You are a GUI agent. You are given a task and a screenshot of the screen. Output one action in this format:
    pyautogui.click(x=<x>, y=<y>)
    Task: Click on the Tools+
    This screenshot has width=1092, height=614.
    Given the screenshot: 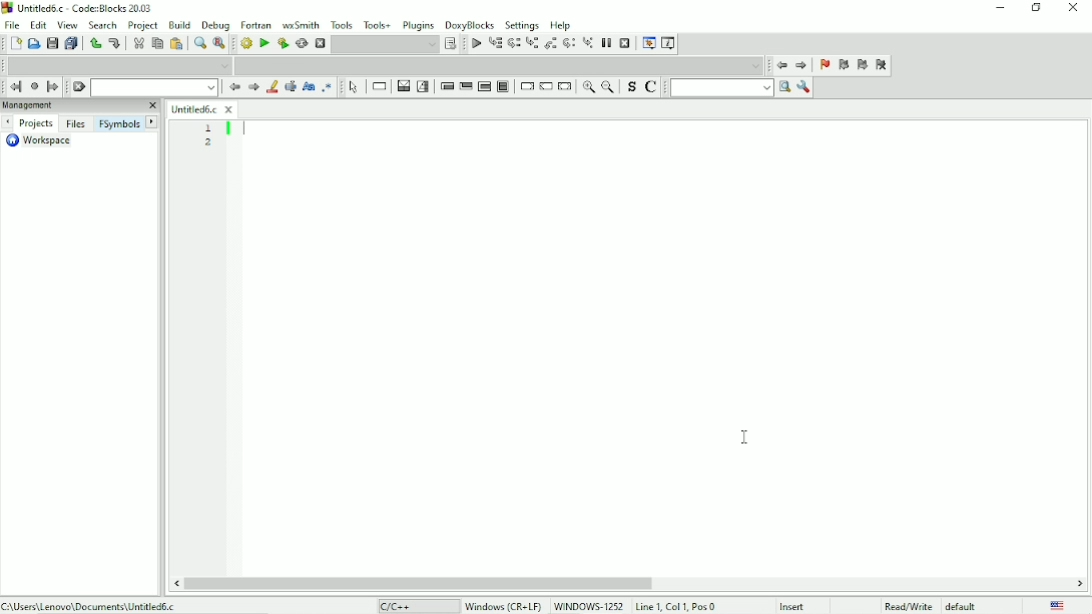 What is the action you would take?
    pyautogui.click(x=377, y=23)
    